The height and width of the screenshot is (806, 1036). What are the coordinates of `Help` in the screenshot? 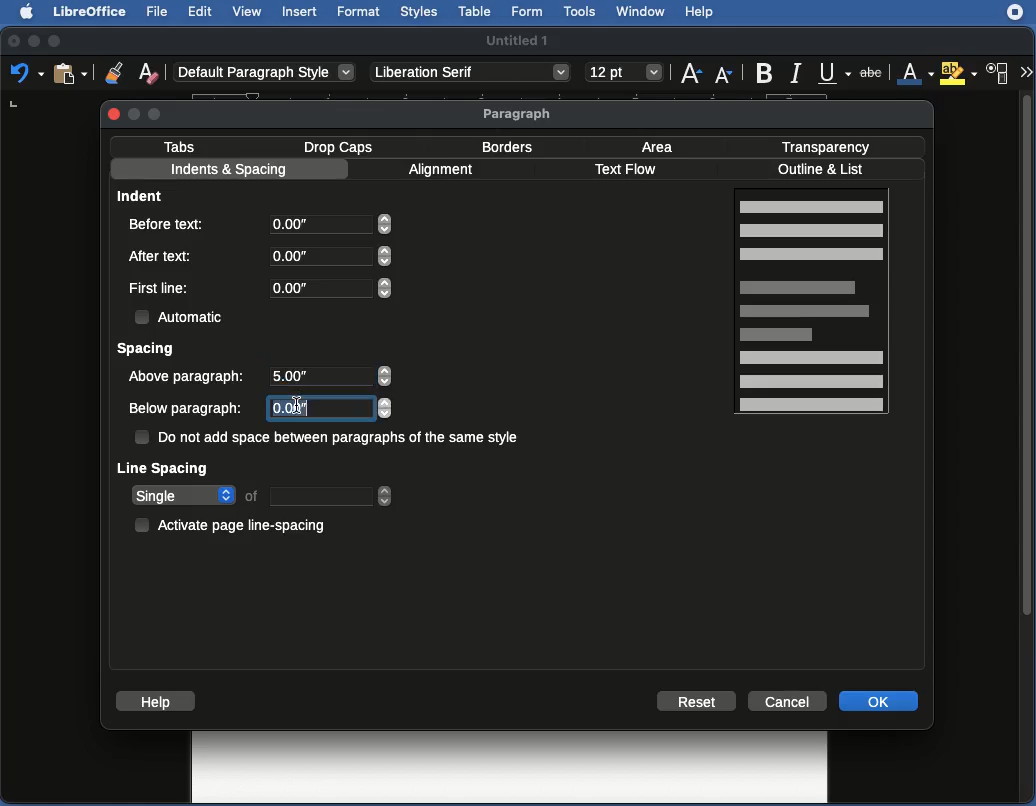 It's located at (700, 13).